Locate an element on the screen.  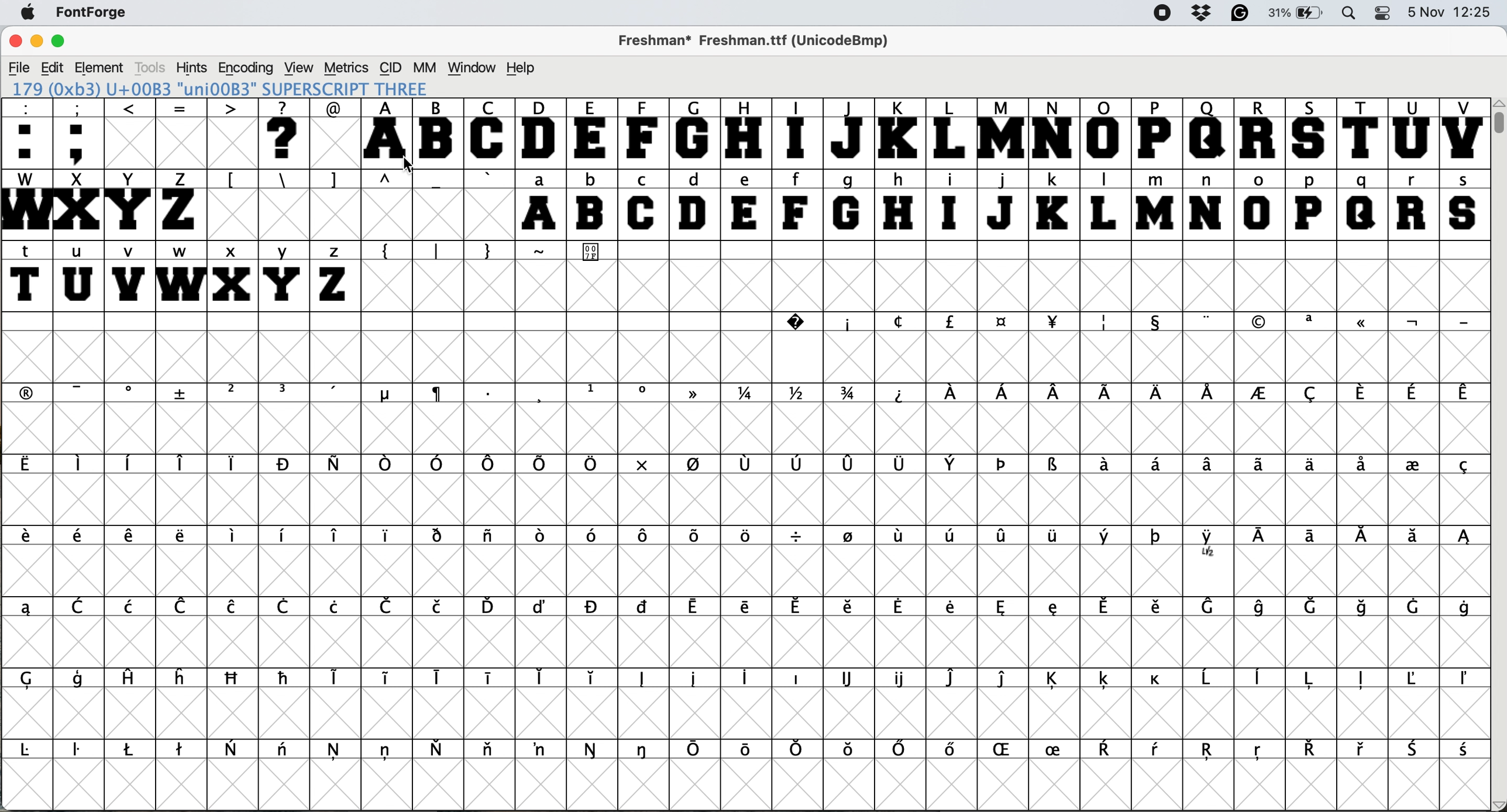
symbol is located at coordinates (1463, 467).